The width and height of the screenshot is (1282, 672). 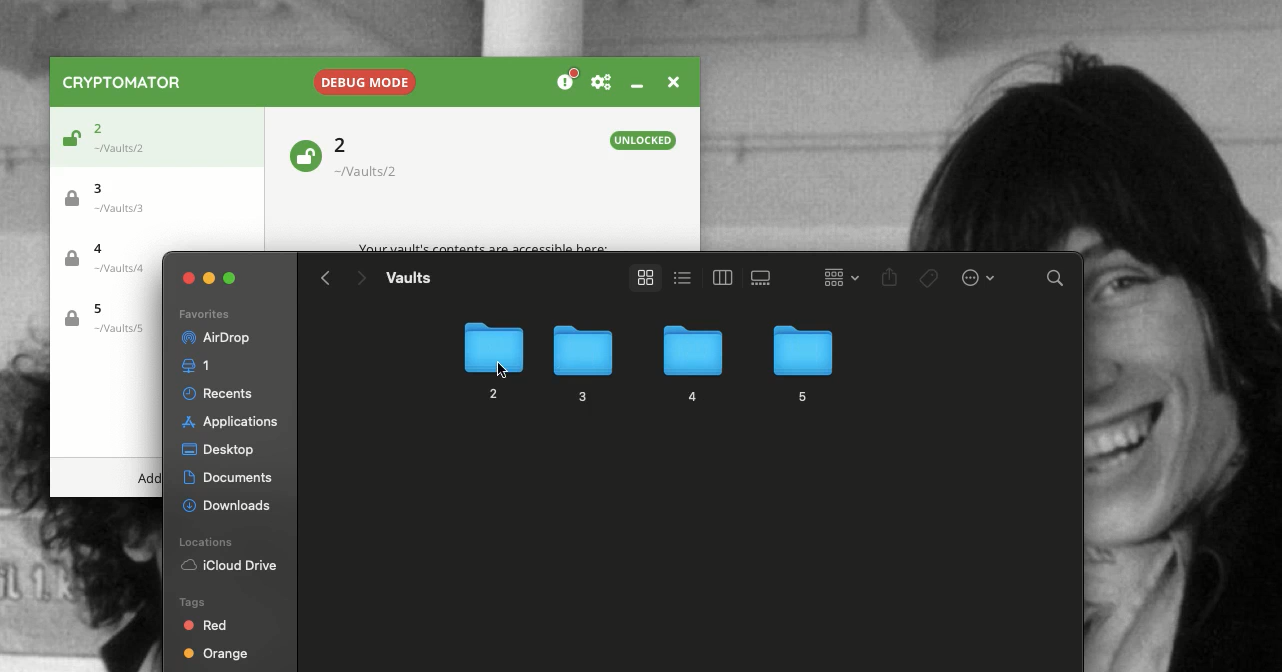 What do you see at coordinates (149, 479) in the screenshot?
I see `Add menu` at bounding box center [149, 479].